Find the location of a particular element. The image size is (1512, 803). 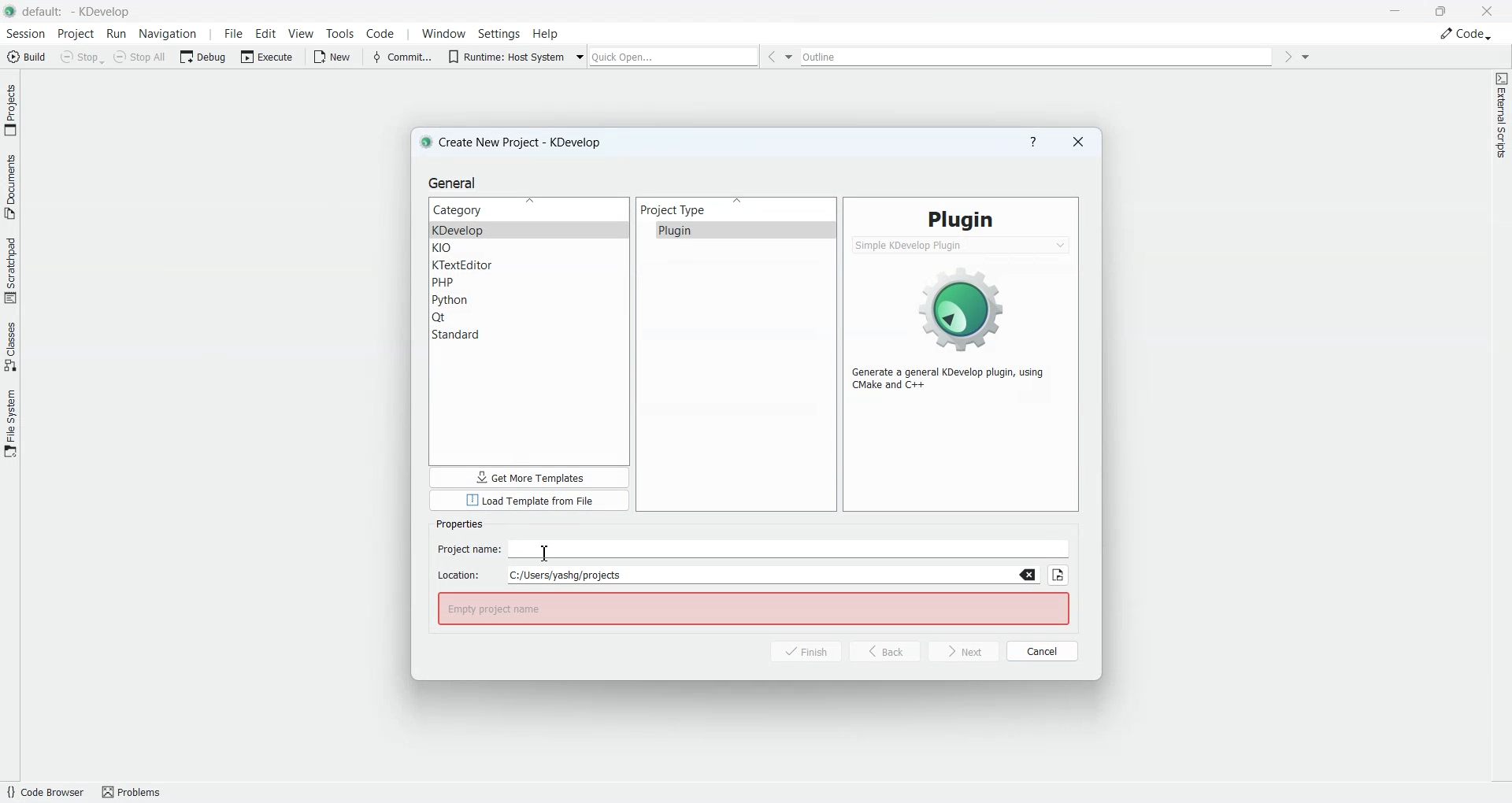

Classes is located at coordinates (11, 346).